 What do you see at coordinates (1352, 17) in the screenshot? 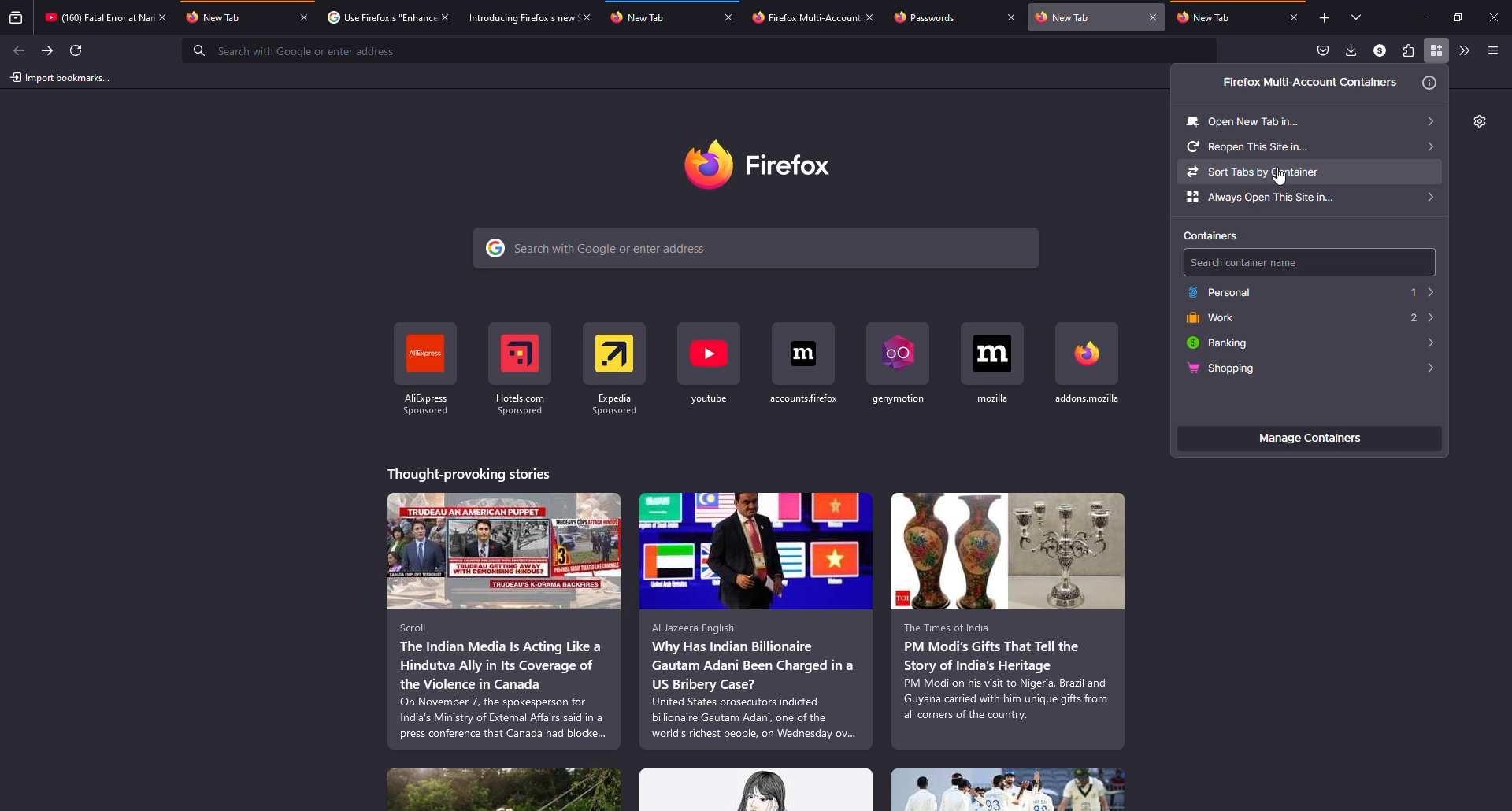
I see `tabs` at bounding box center [1352, 17].